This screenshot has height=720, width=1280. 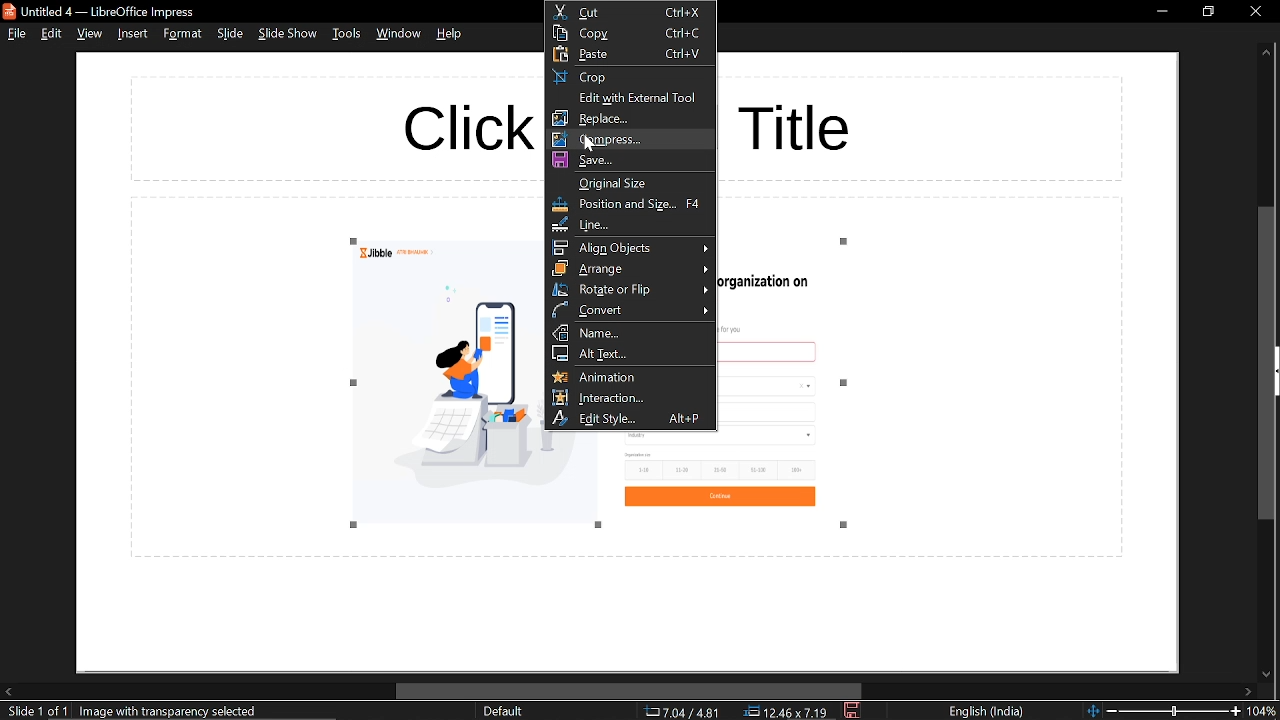 What do you see at coordinates (397, 36) in the screenshot?
I see `window` at bounding box center [397, 36].